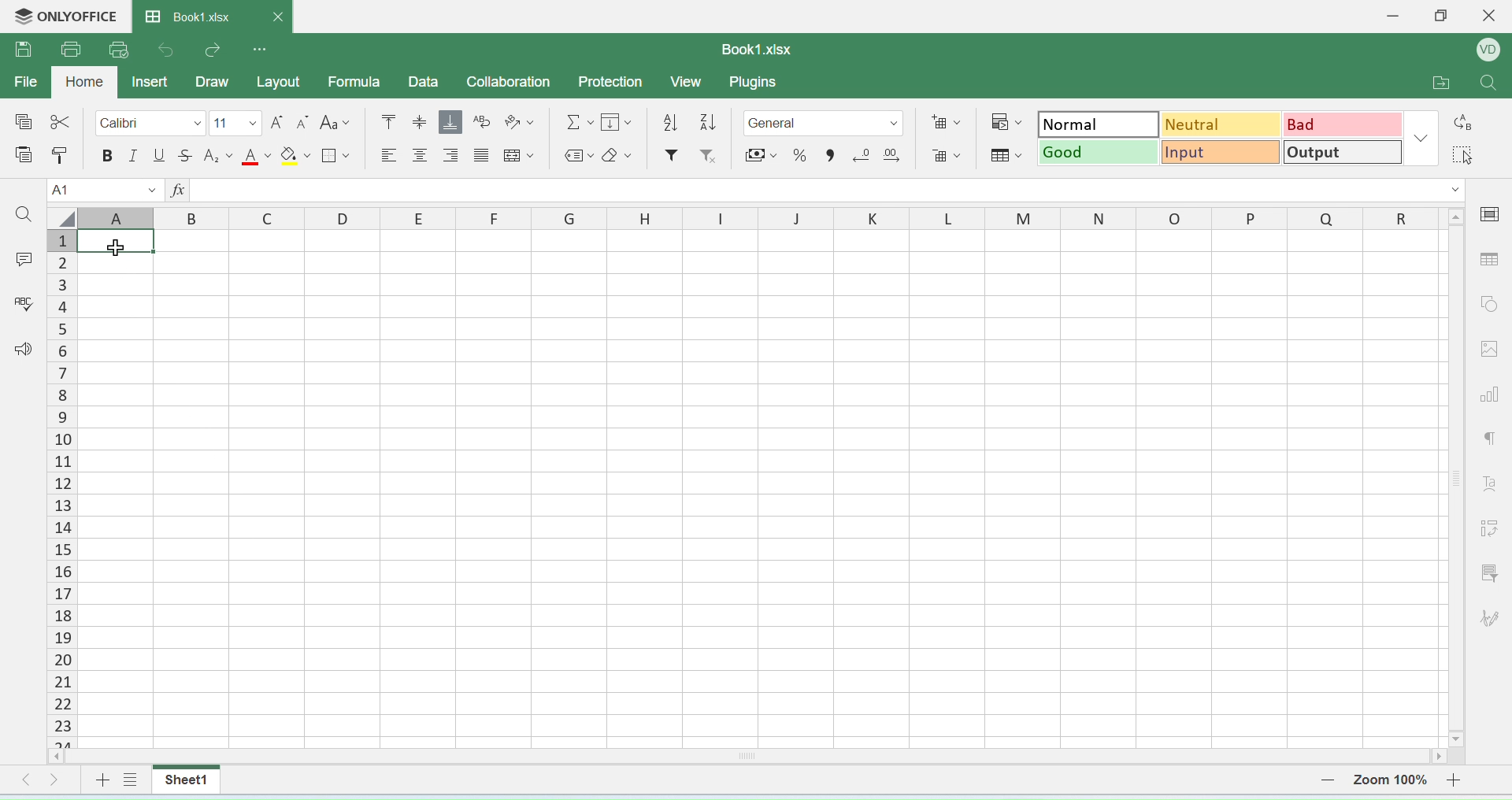 The width and height of the screenshot is (1512, 800). What do you see at coordinates (64, 17) in the screenshot?
I see `onlyoffice logo` at bounding box center [64, 17].